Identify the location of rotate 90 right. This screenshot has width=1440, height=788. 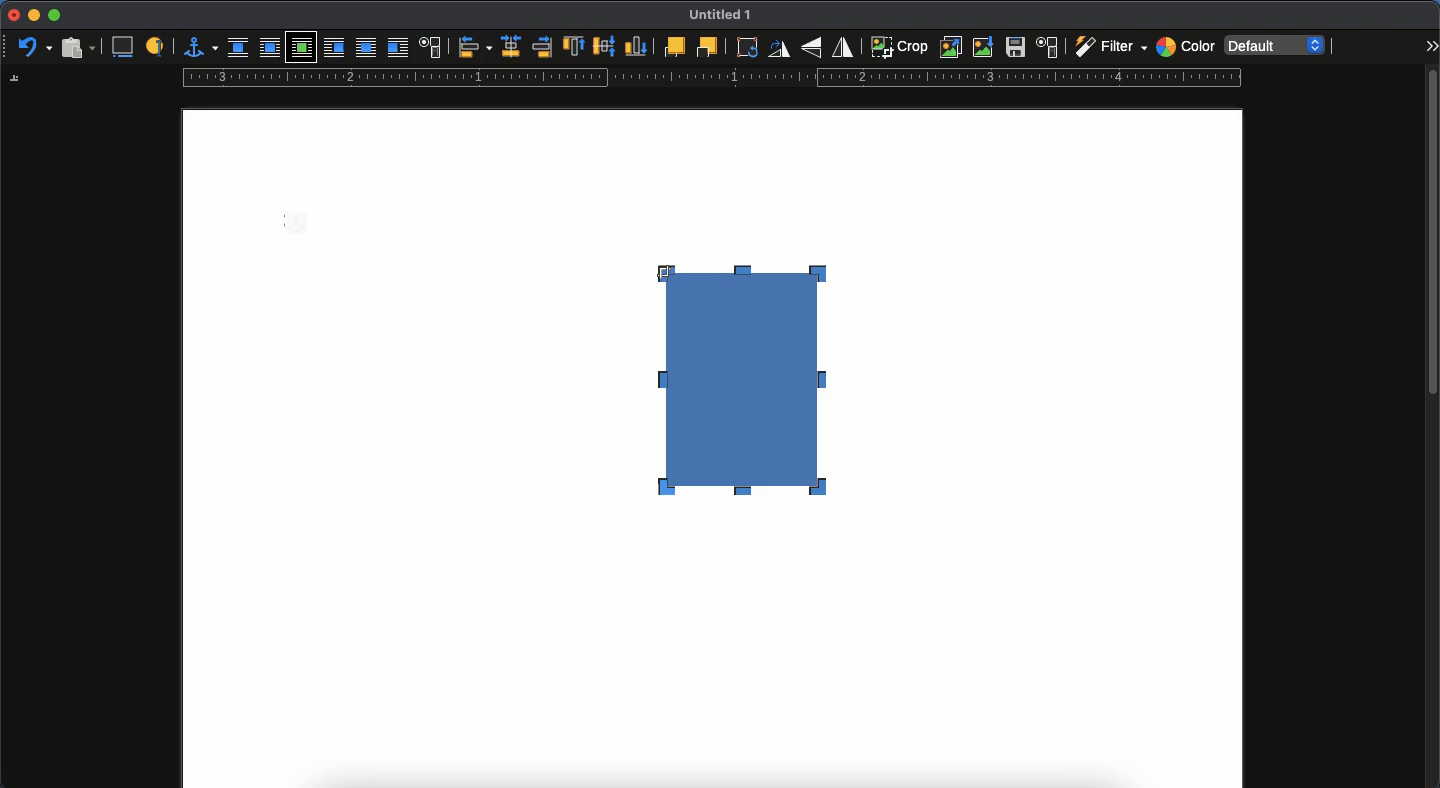
(779, 51).